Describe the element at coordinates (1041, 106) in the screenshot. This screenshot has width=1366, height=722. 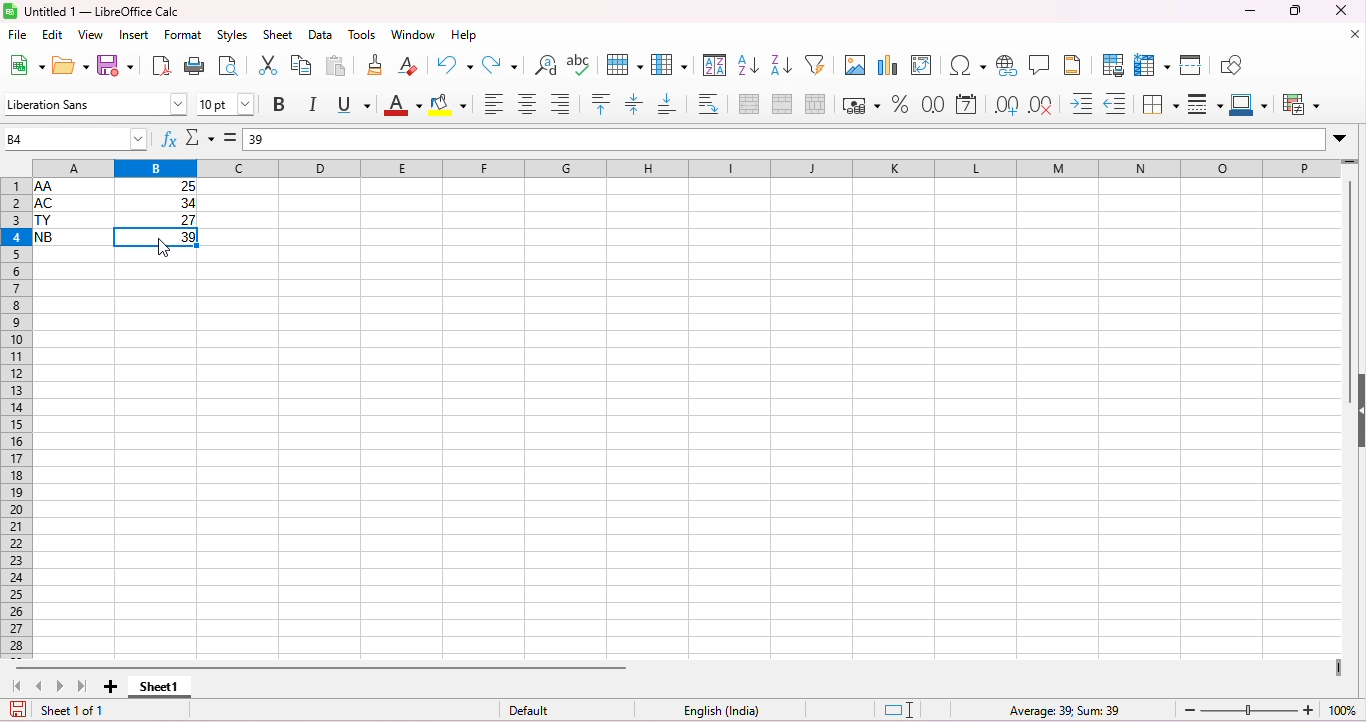
I see `delete decimal` at that location.